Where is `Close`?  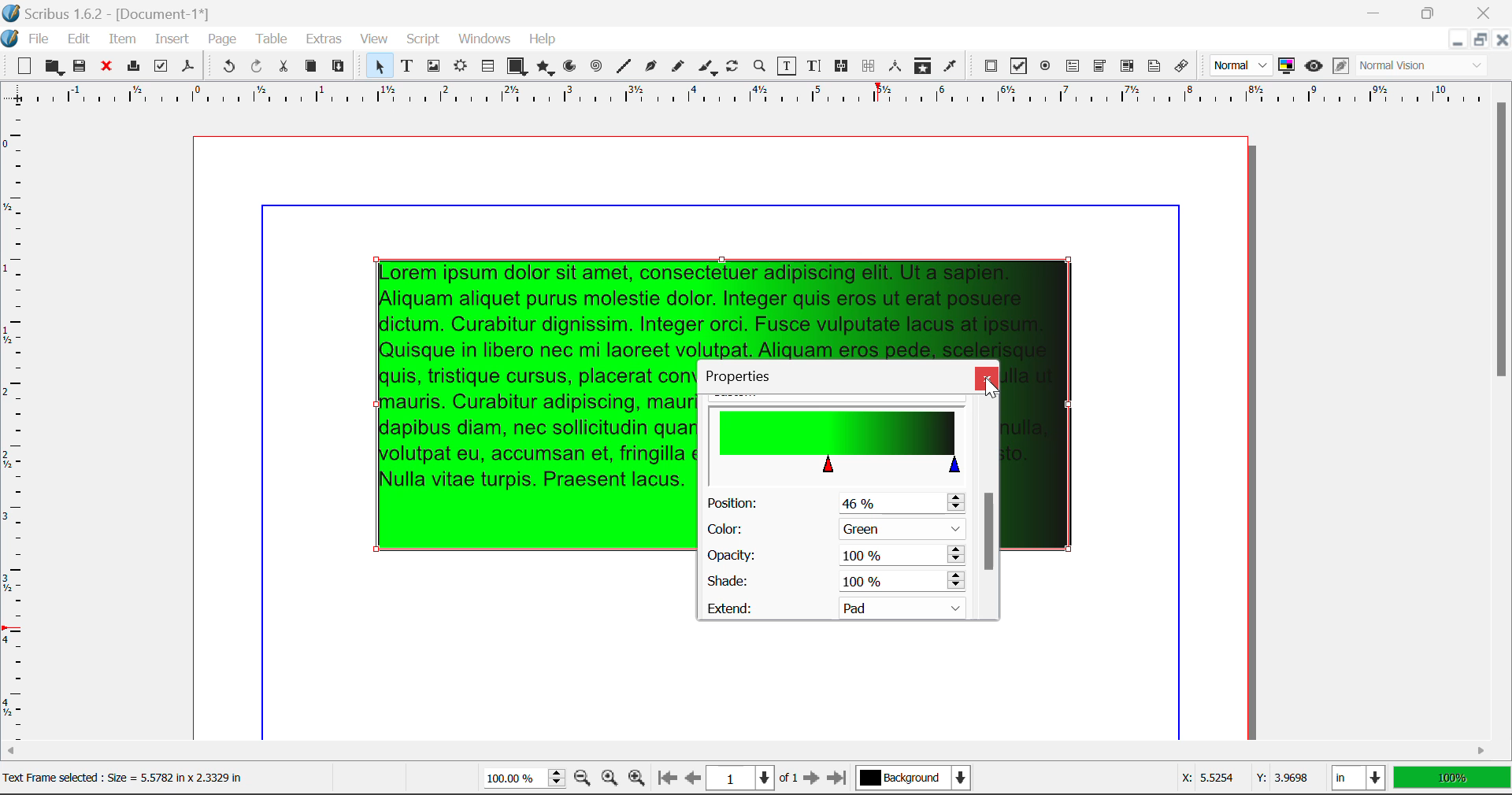 Close is located at coordinates (1501, 39).